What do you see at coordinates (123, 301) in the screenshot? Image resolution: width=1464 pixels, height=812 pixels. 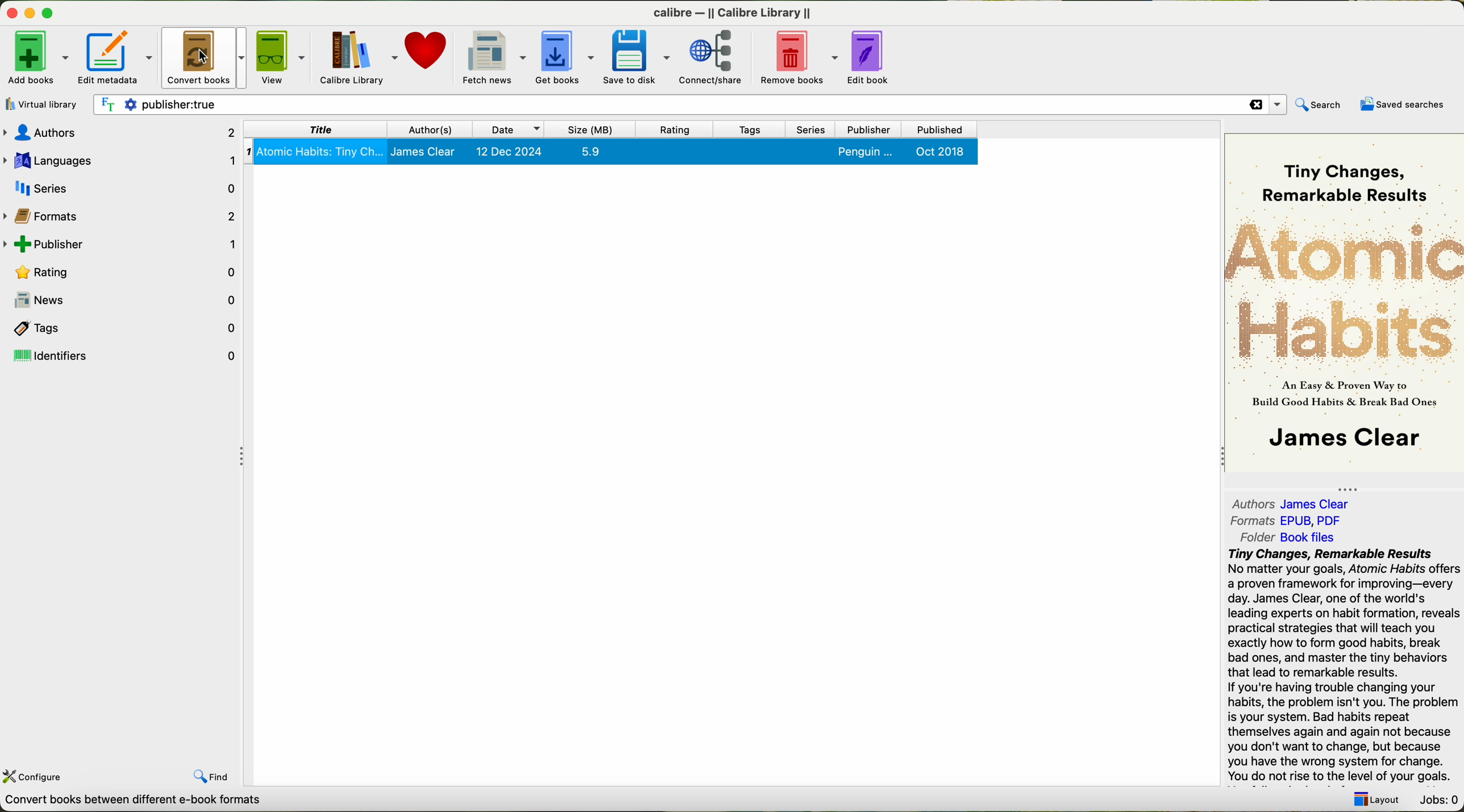 I see `news` at bounding box center [123, 301].